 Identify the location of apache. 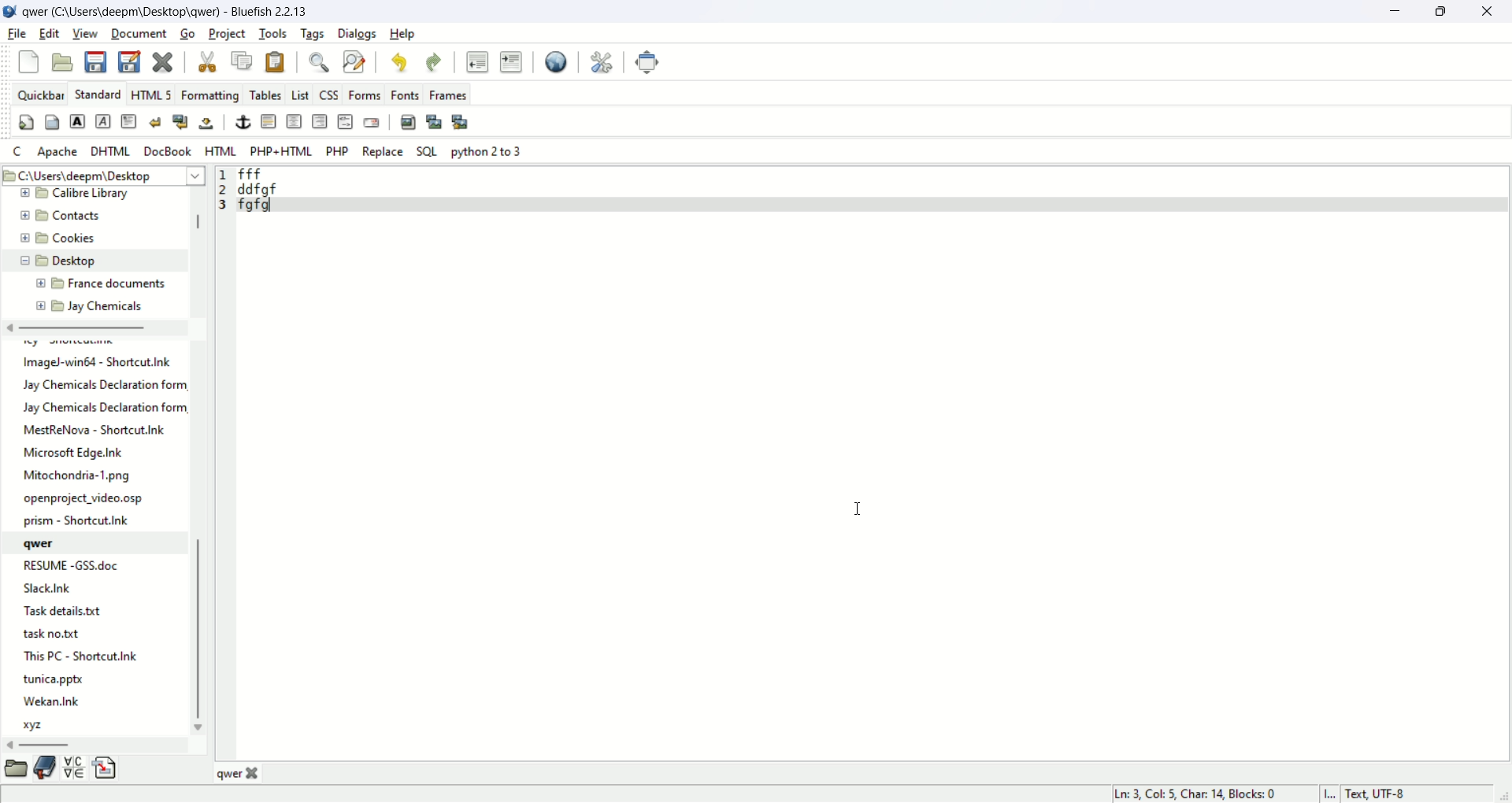
(59, 154).